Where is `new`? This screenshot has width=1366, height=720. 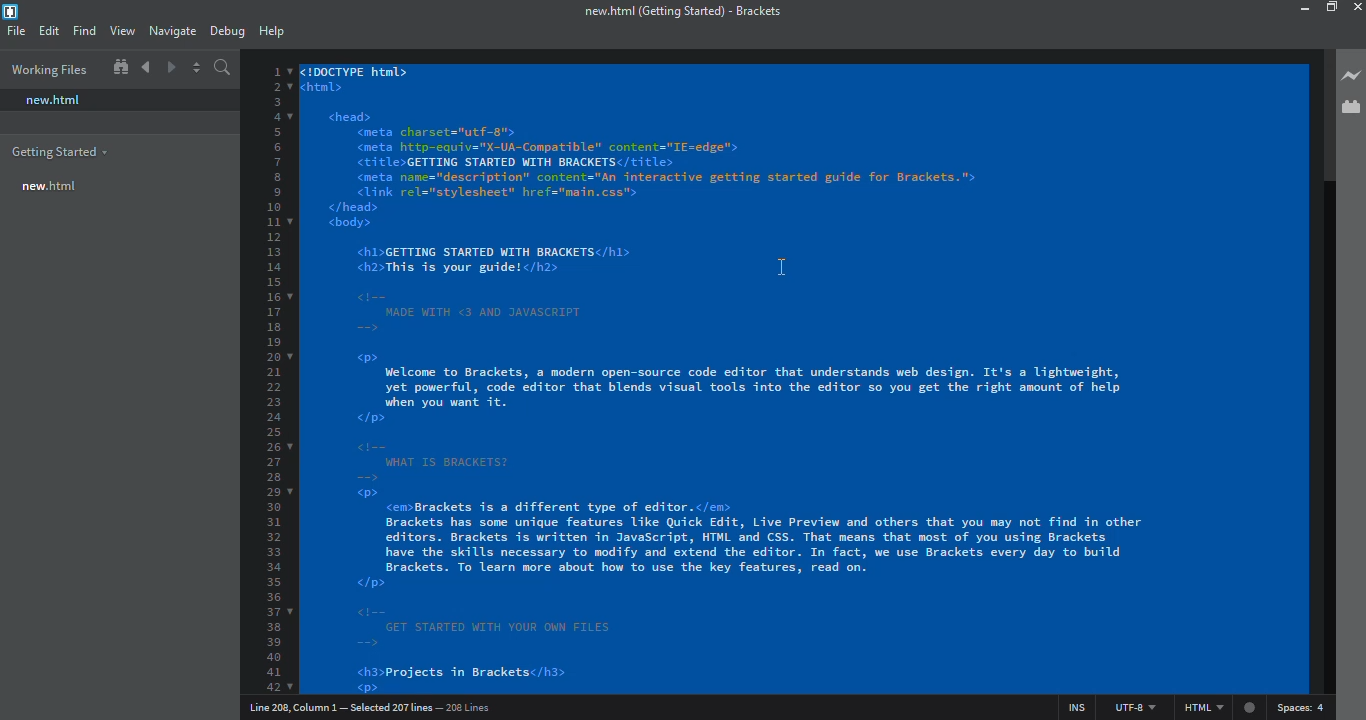
new is located at coordinates (49, 183).